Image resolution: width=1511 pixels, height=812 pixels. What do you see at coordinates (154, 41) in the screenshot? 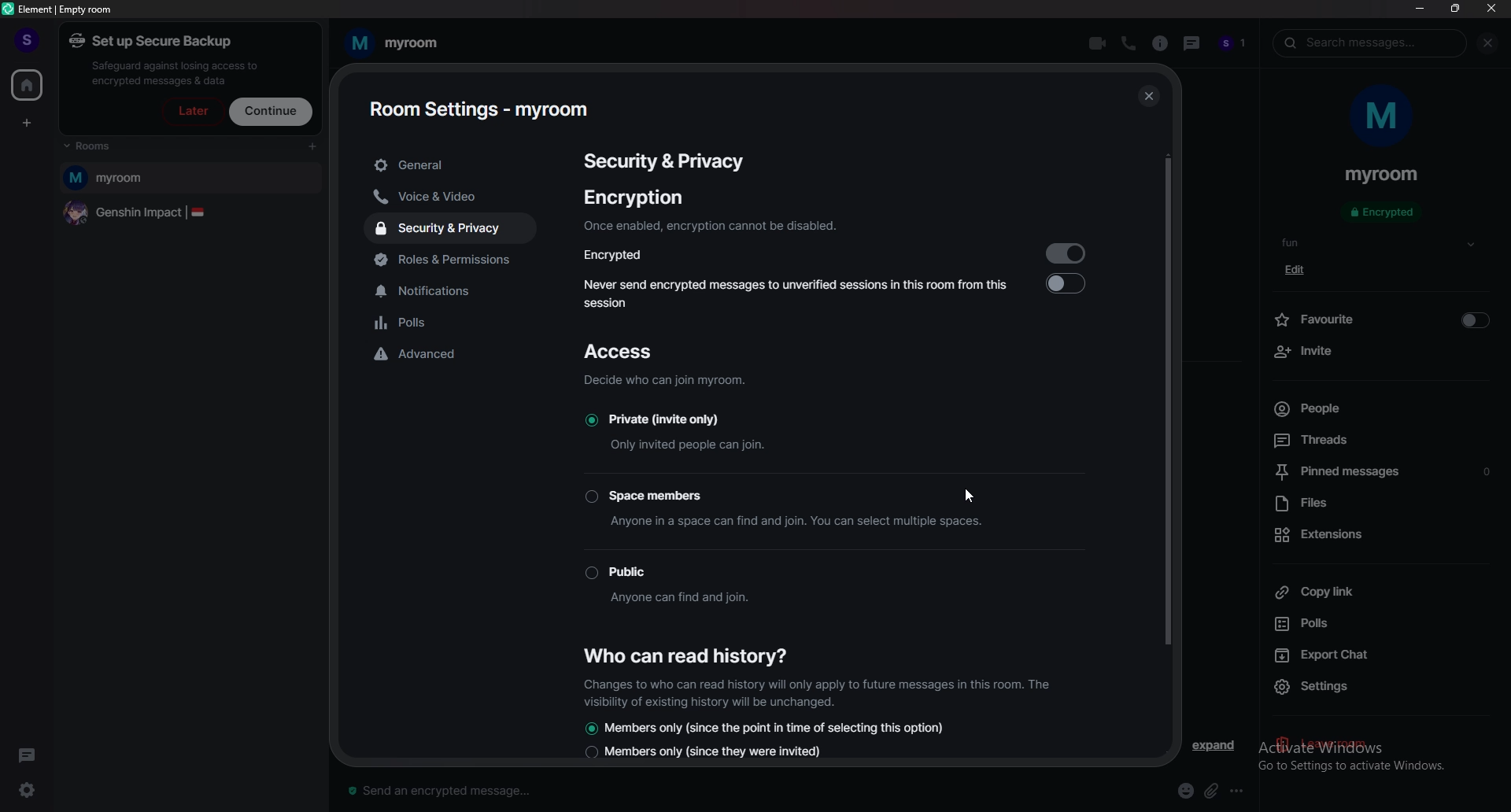
I see `setup secure backup` at bounding box center [154, 41].